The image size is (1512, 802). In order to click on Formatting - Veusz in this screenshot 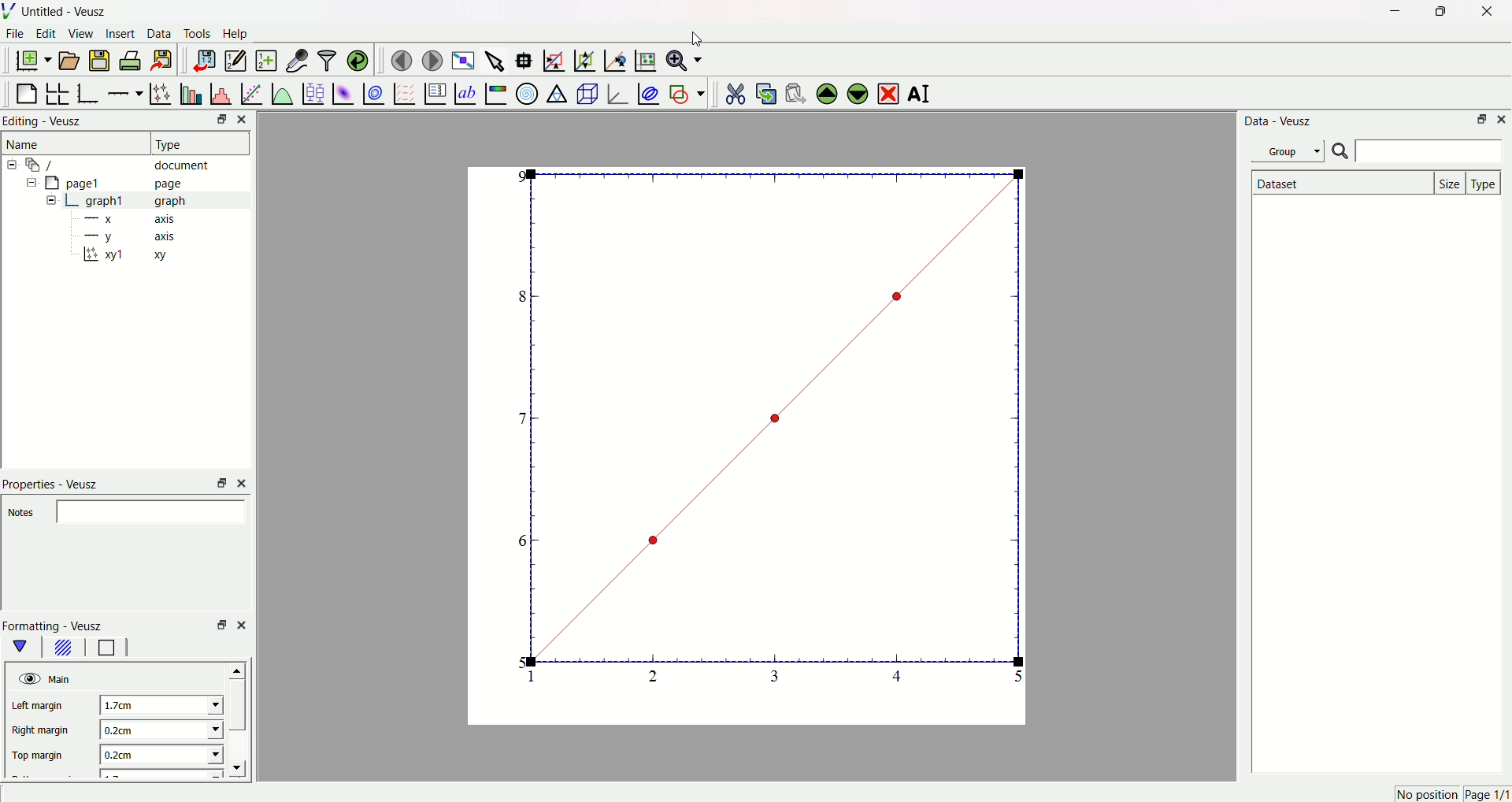, I will do `click(61, 626)`.